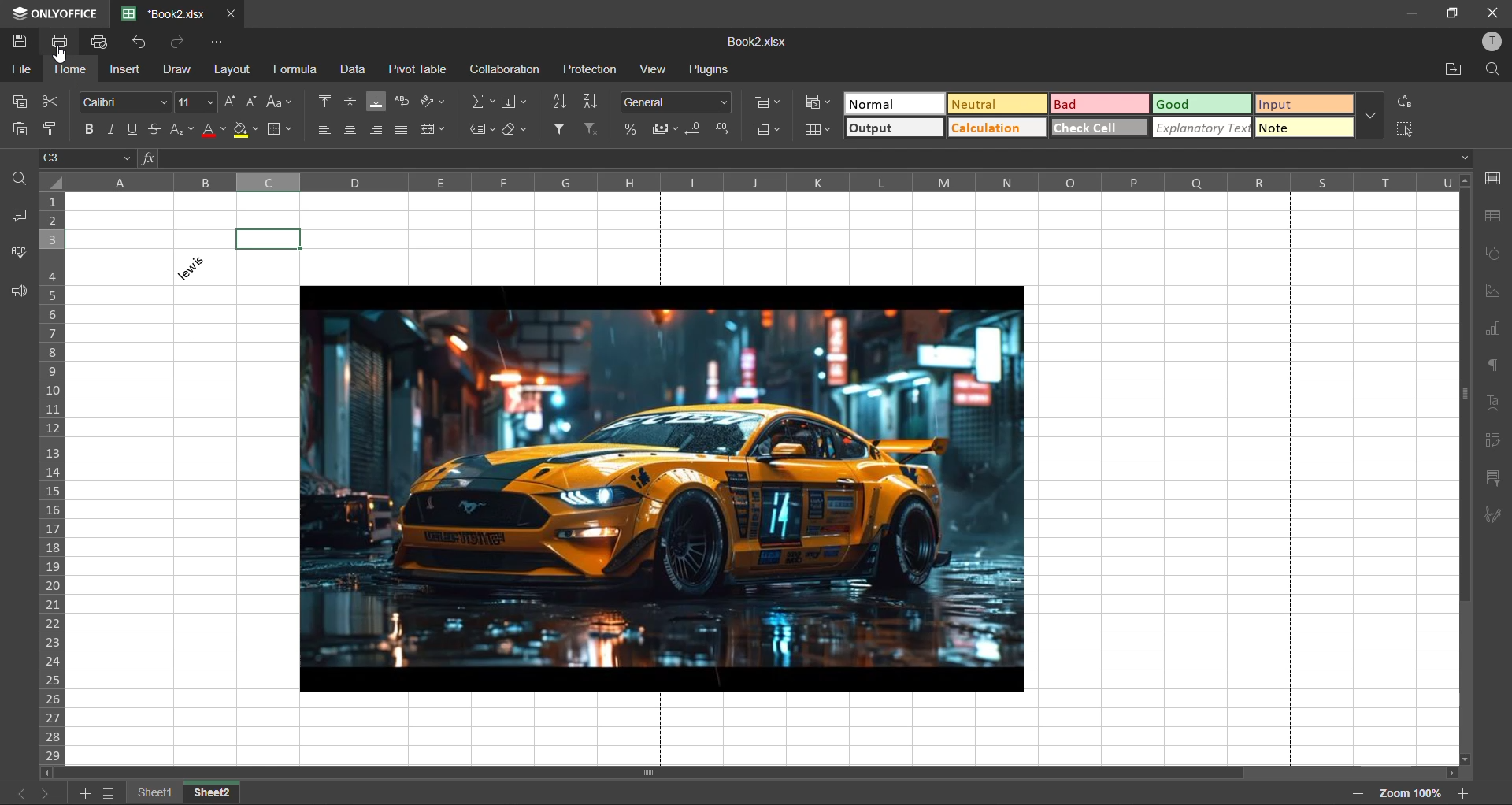 This screenshot has width=1512, height=805. What do you see at coordinates (1305, 127) in the screenshot?
I see `note` at bounding box center [1305, 127].